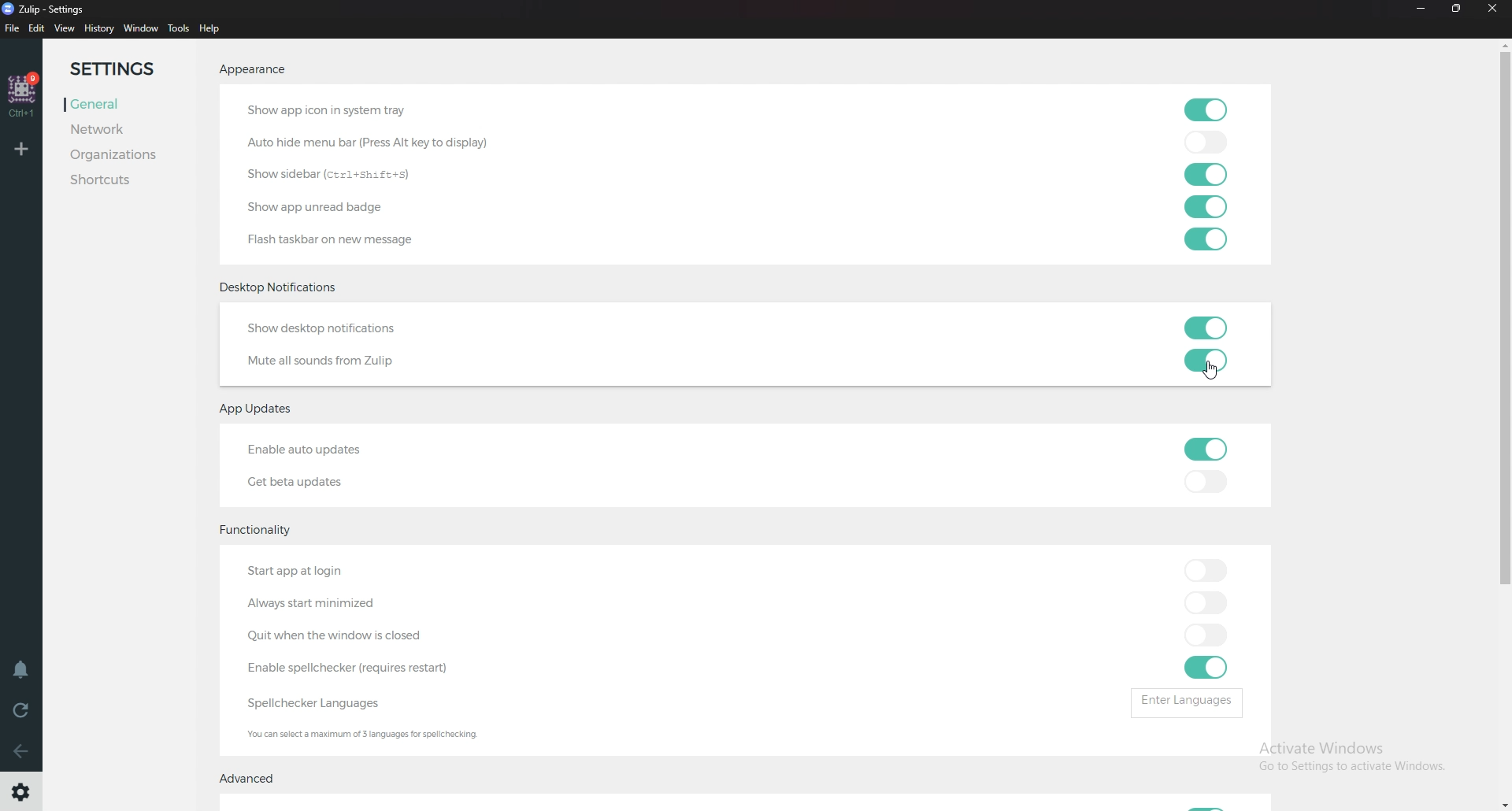 The image size is (1512, 811). I want to click on Network, so click(115, 131).